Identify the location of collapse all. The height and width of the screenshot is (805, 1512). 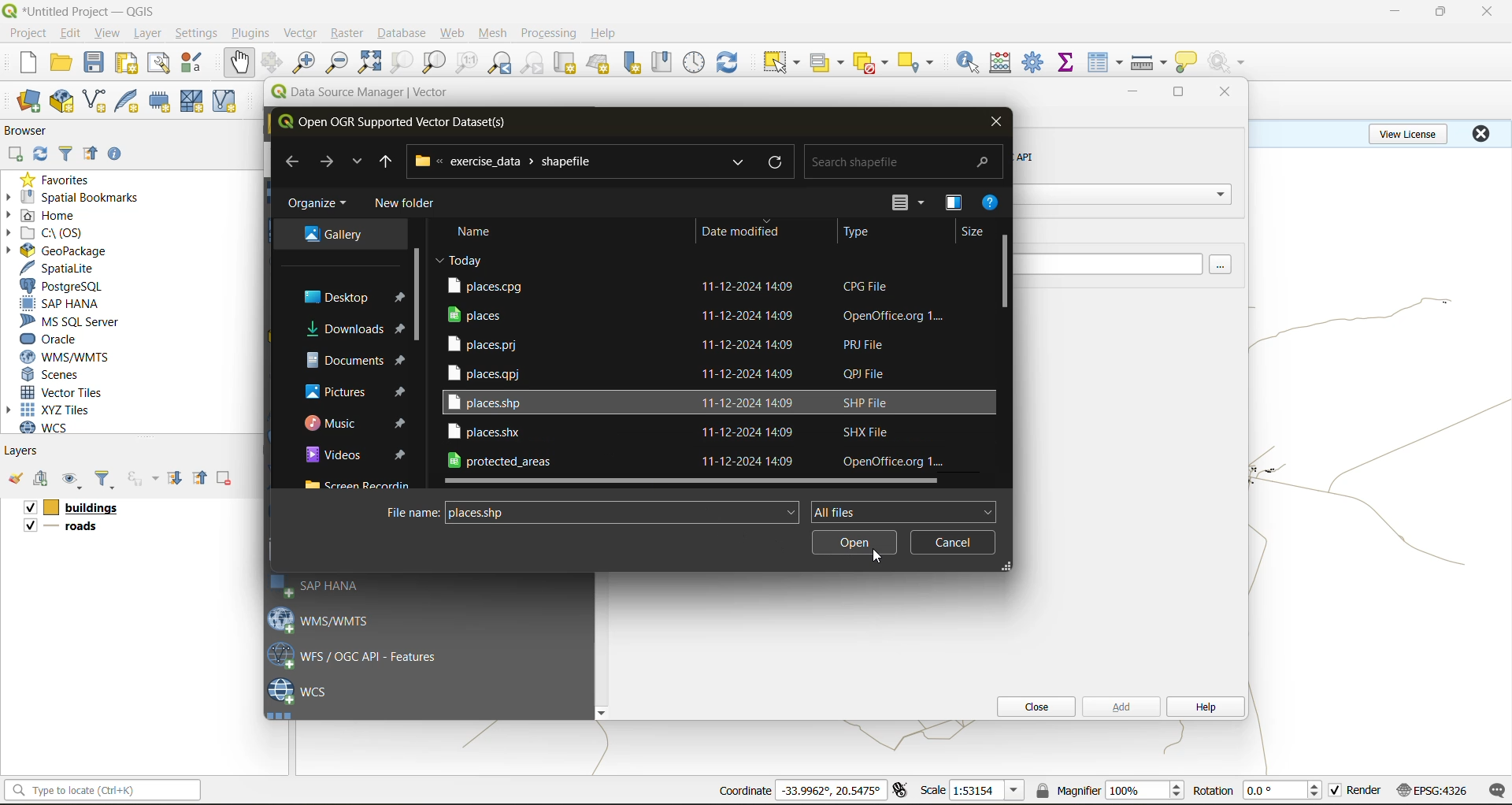
(91, 157).